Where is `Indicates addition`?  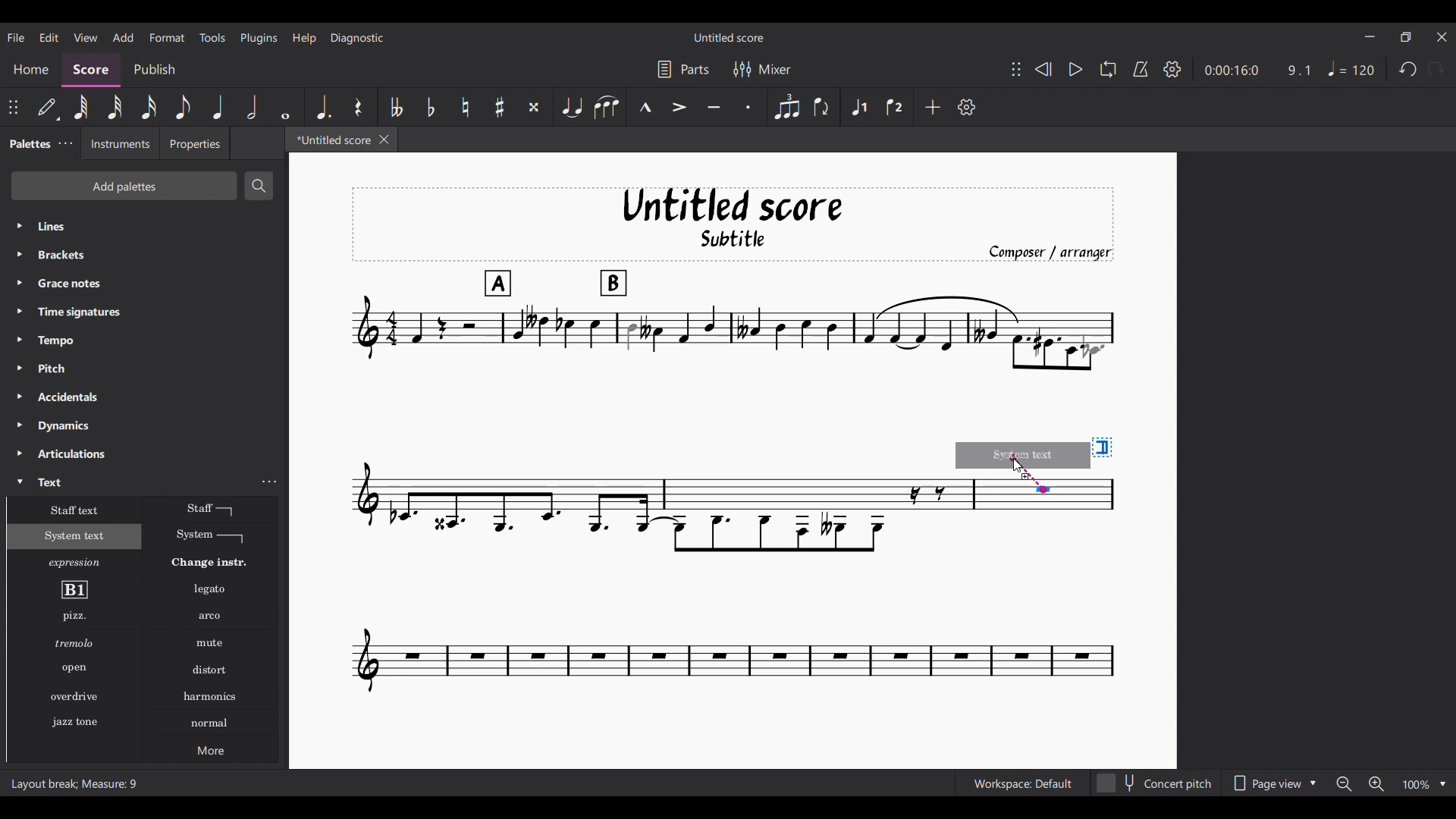 Indicates addition is located at coordinates (1025, 477).